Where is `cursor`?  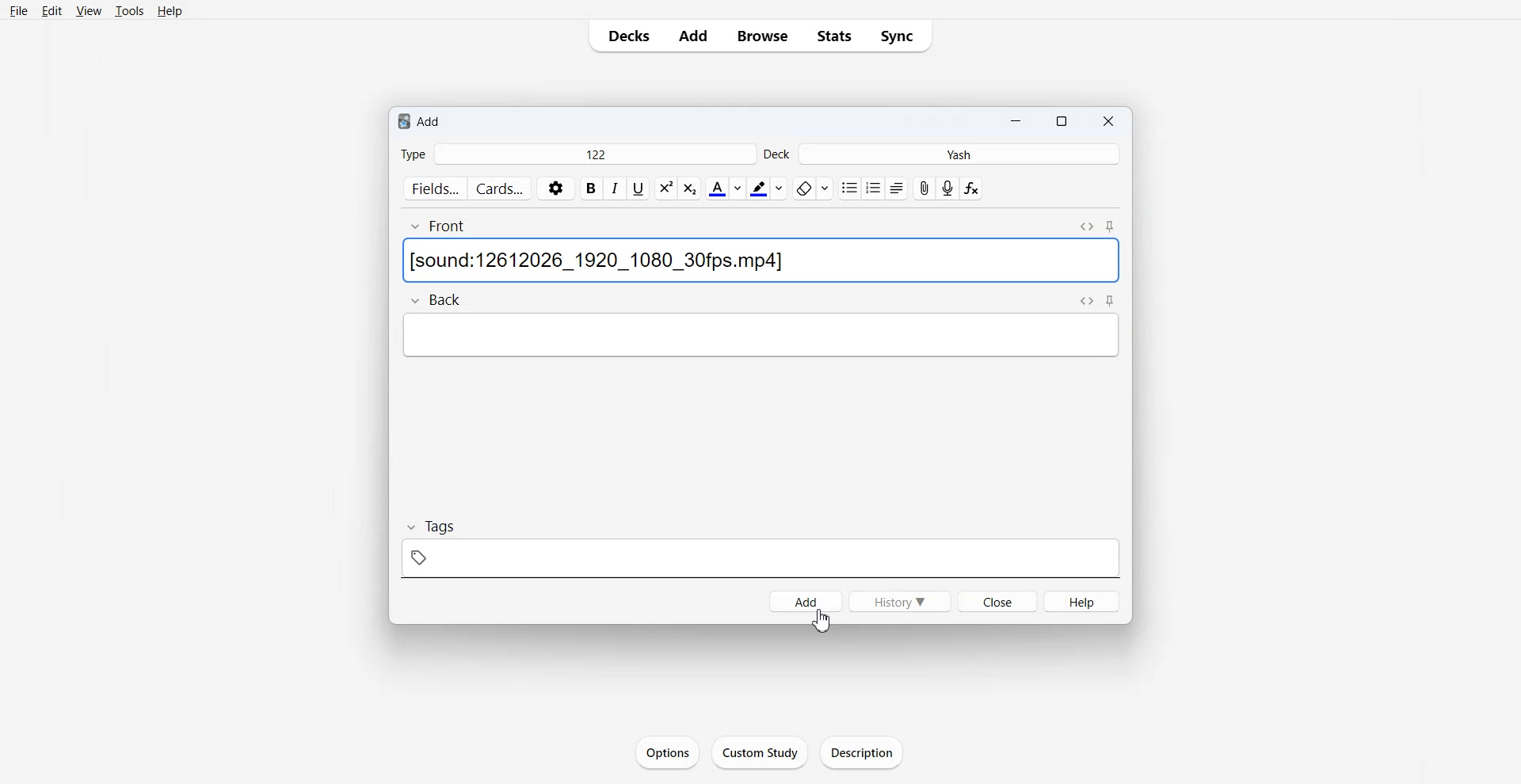 cursor is located at coordinates (821, 622).